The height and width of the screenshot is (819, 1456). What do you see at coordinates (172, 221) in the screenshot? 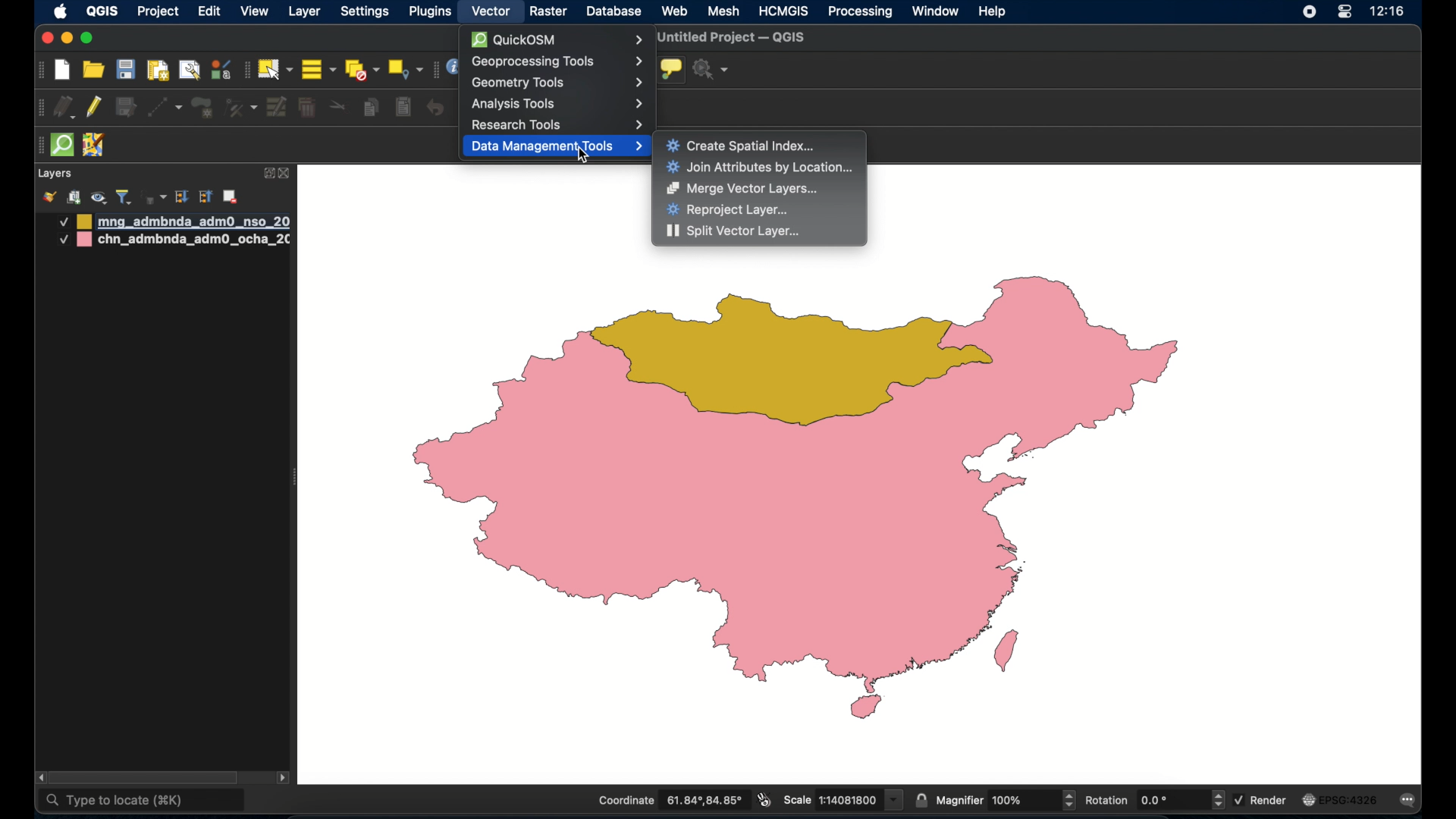
I see `mongolia administrative boundary layer 1` at bounding box center [172, 221].